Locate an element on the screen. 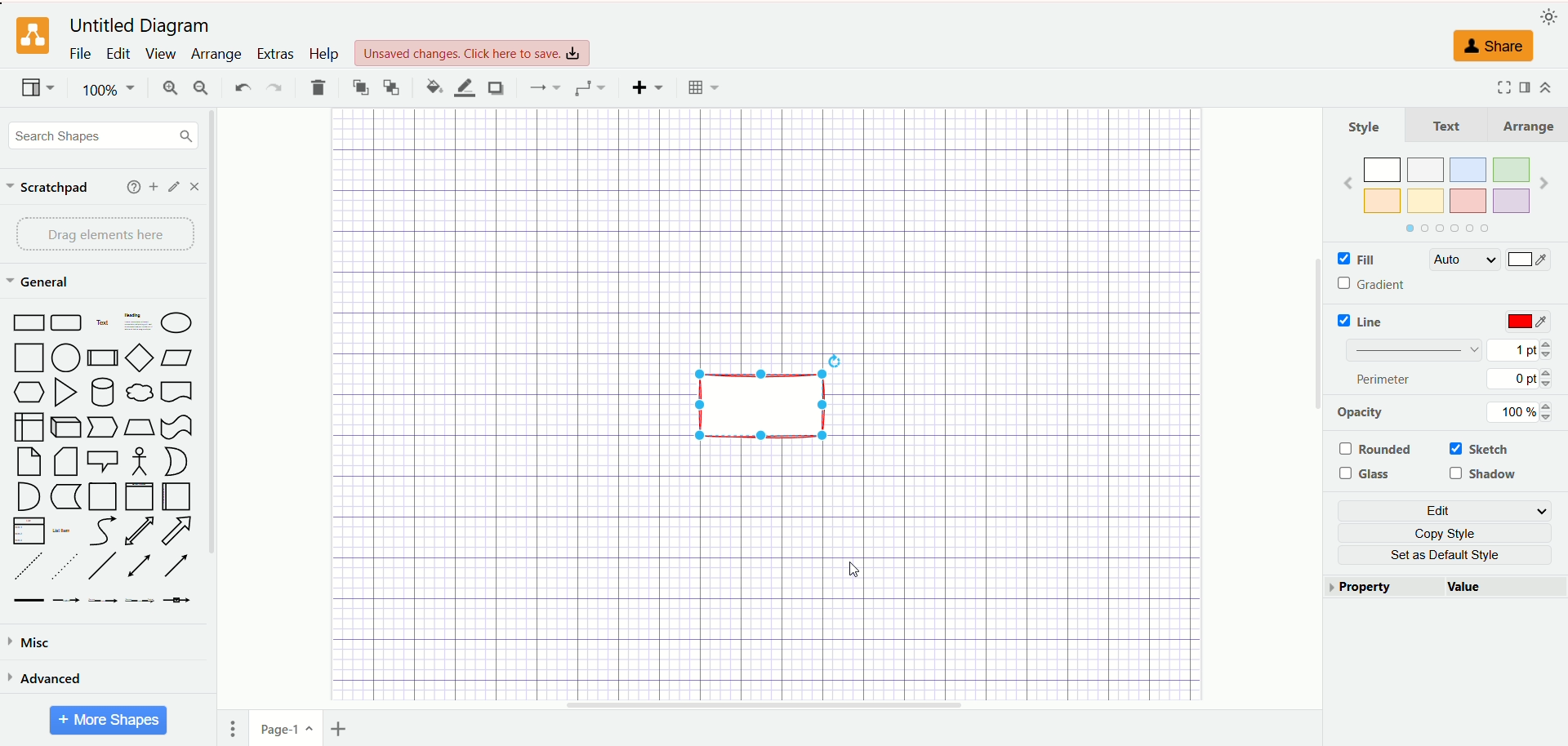  undo is located at coordinates (241, 87).